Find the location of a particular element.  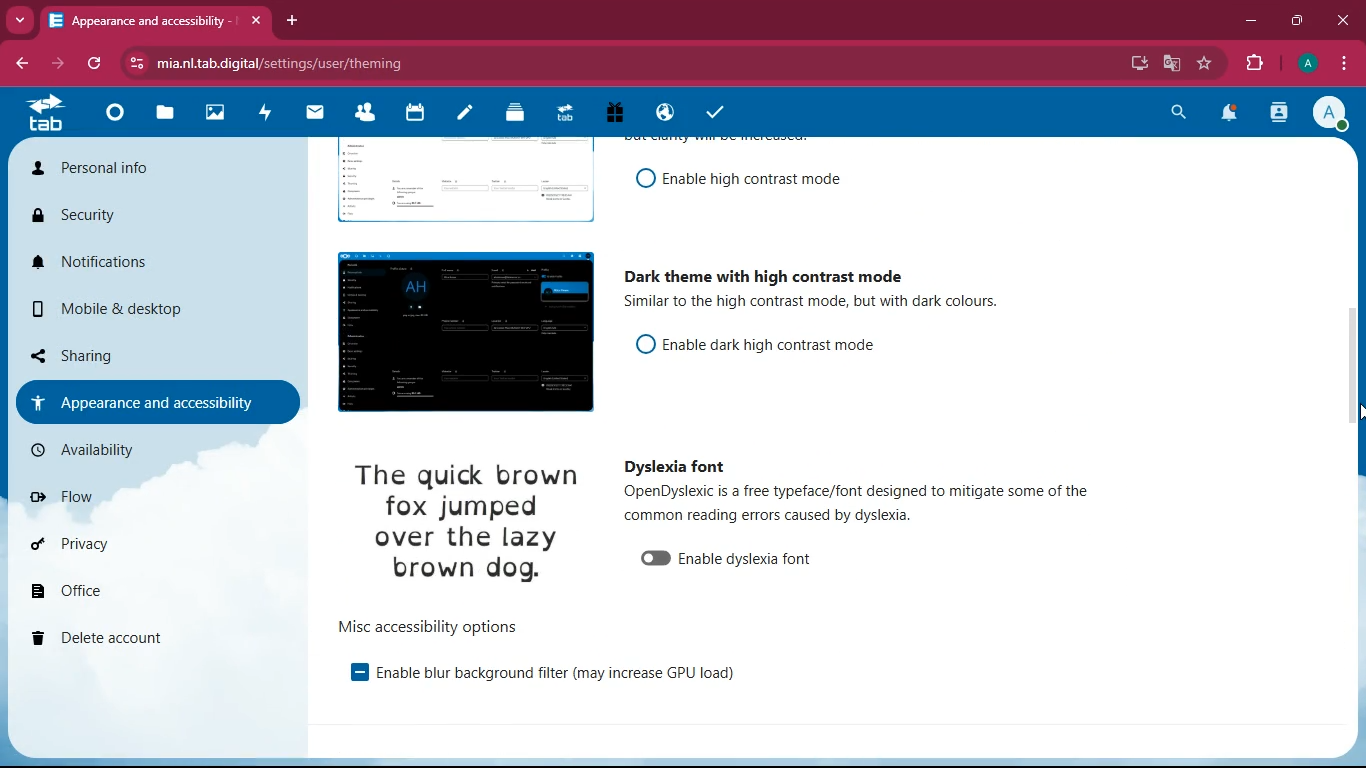

on/off is located at coordinates (639, 347).